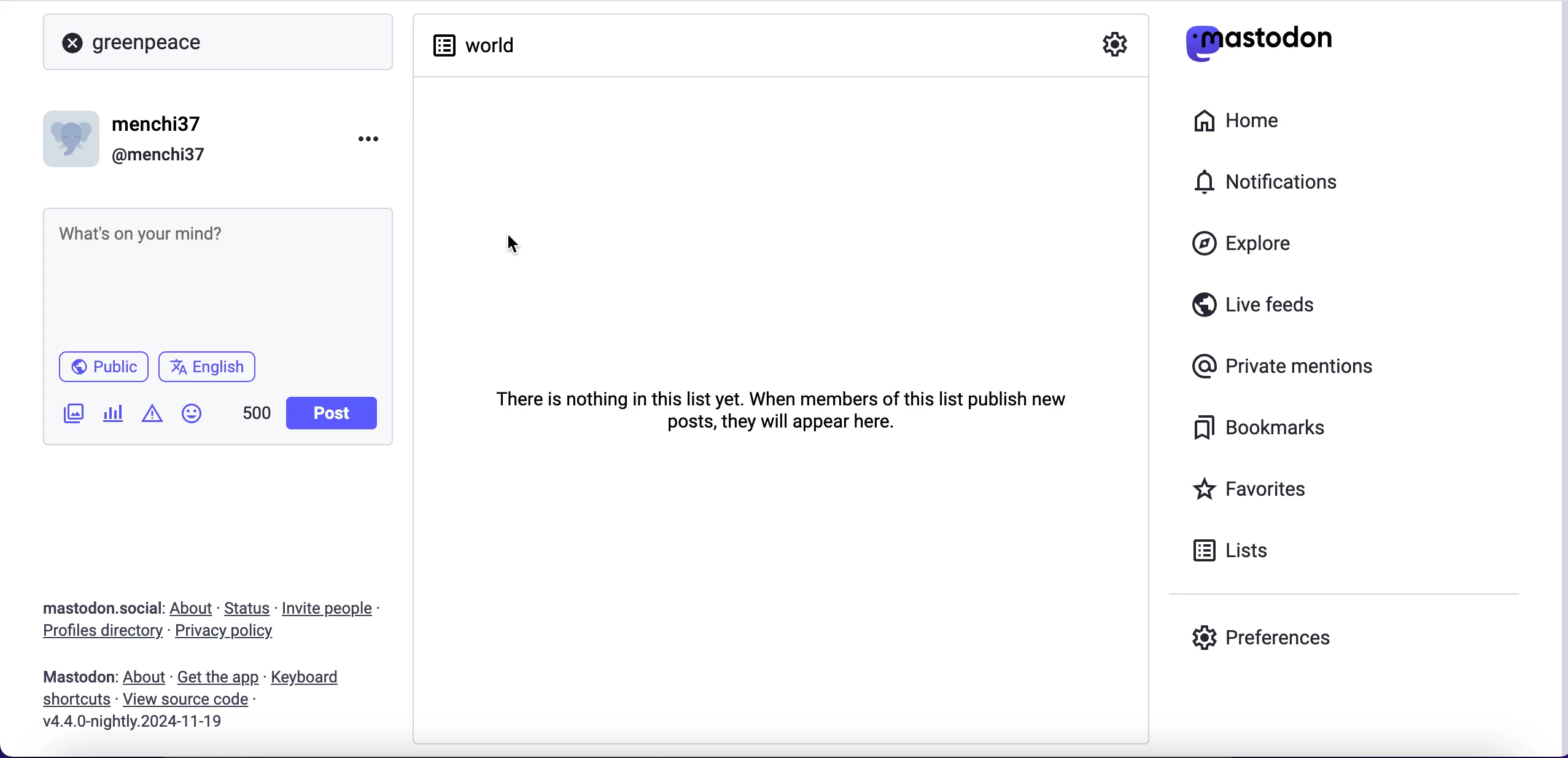 This screenshot has width=1568, height=758. Describe the element at coordinates (249, 608) in the screenshot. I see `status` at that location.